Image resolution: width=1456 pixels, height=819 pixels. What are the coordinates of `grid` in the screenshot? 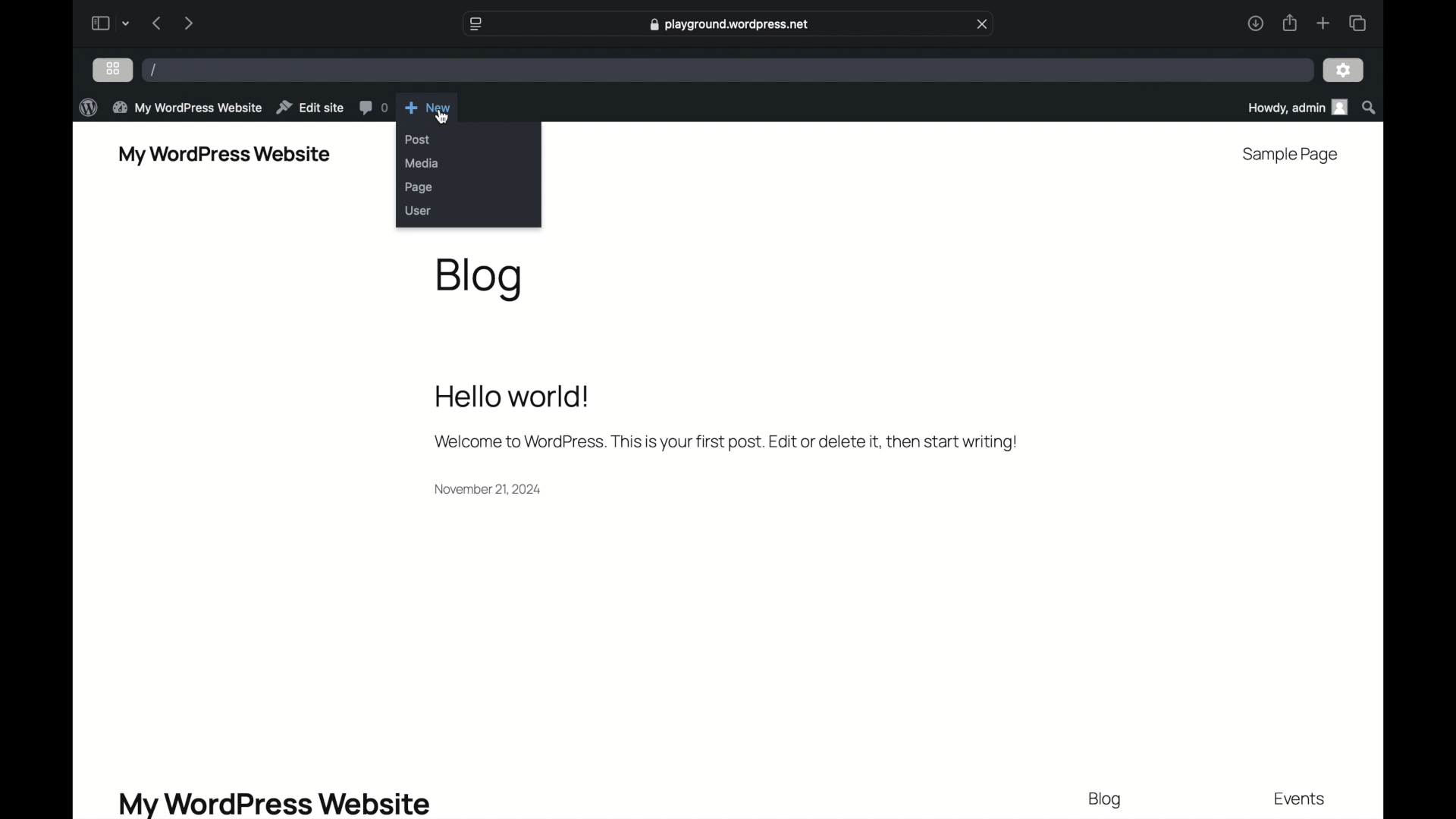 It's located at (112, 68).